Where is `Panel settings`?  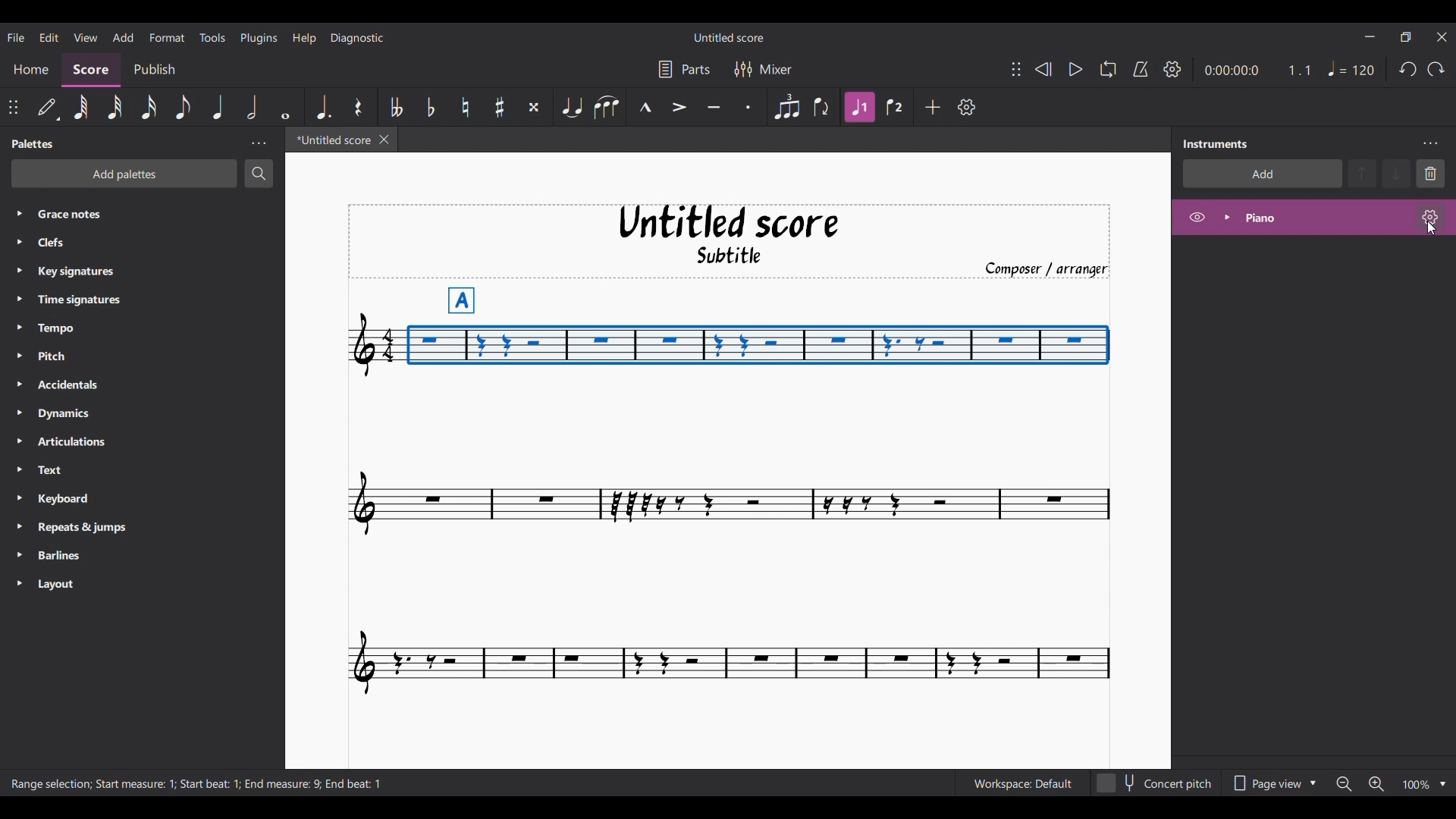
Panel settings is located at coordinates (259, 143).